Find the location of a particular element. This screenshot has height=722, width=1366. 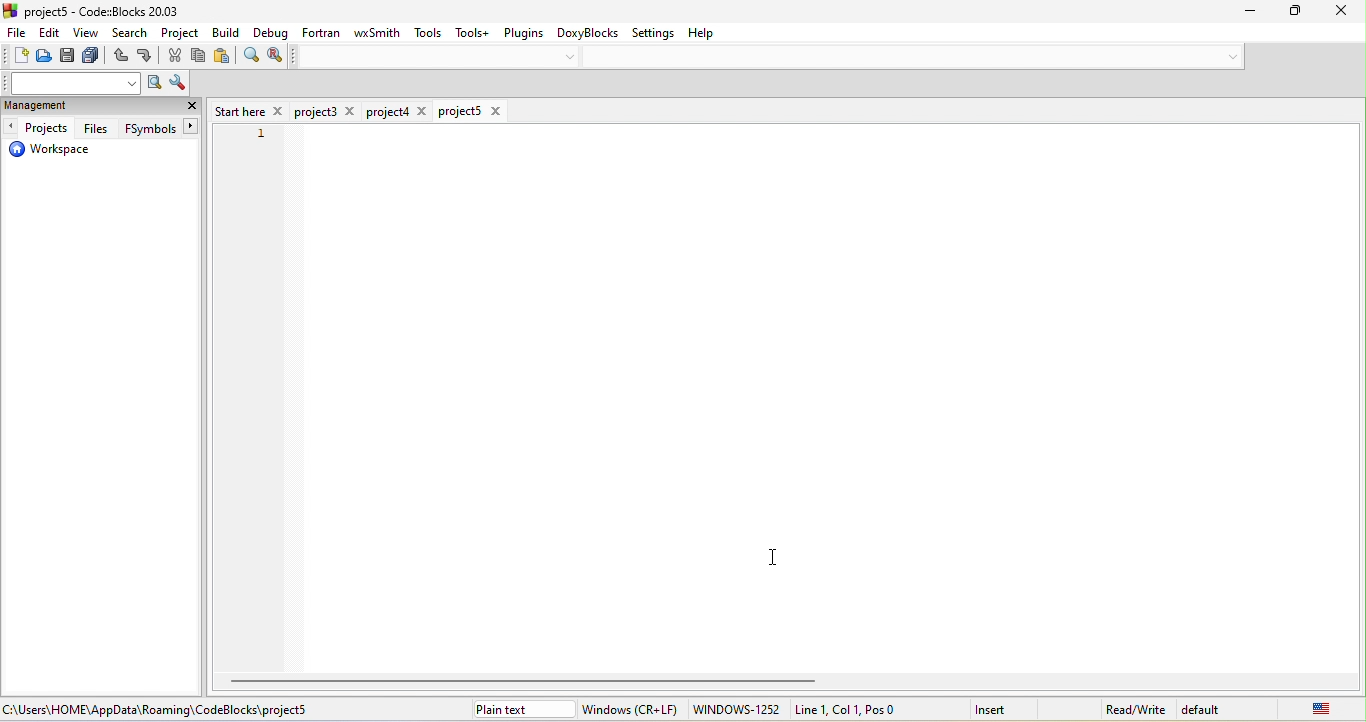

search is located at coordinates (132, 35).